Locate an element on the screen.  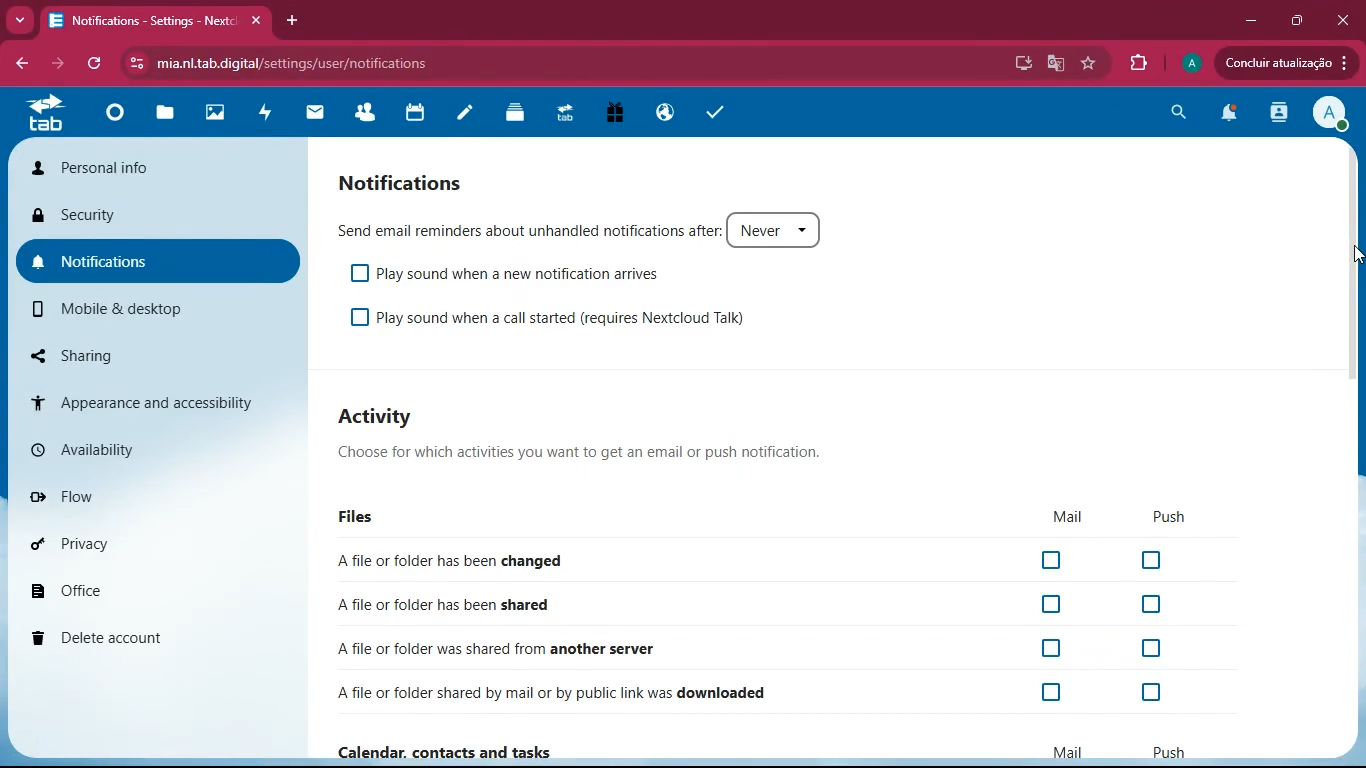
Checkbox is located at coordinates (1160, 559).